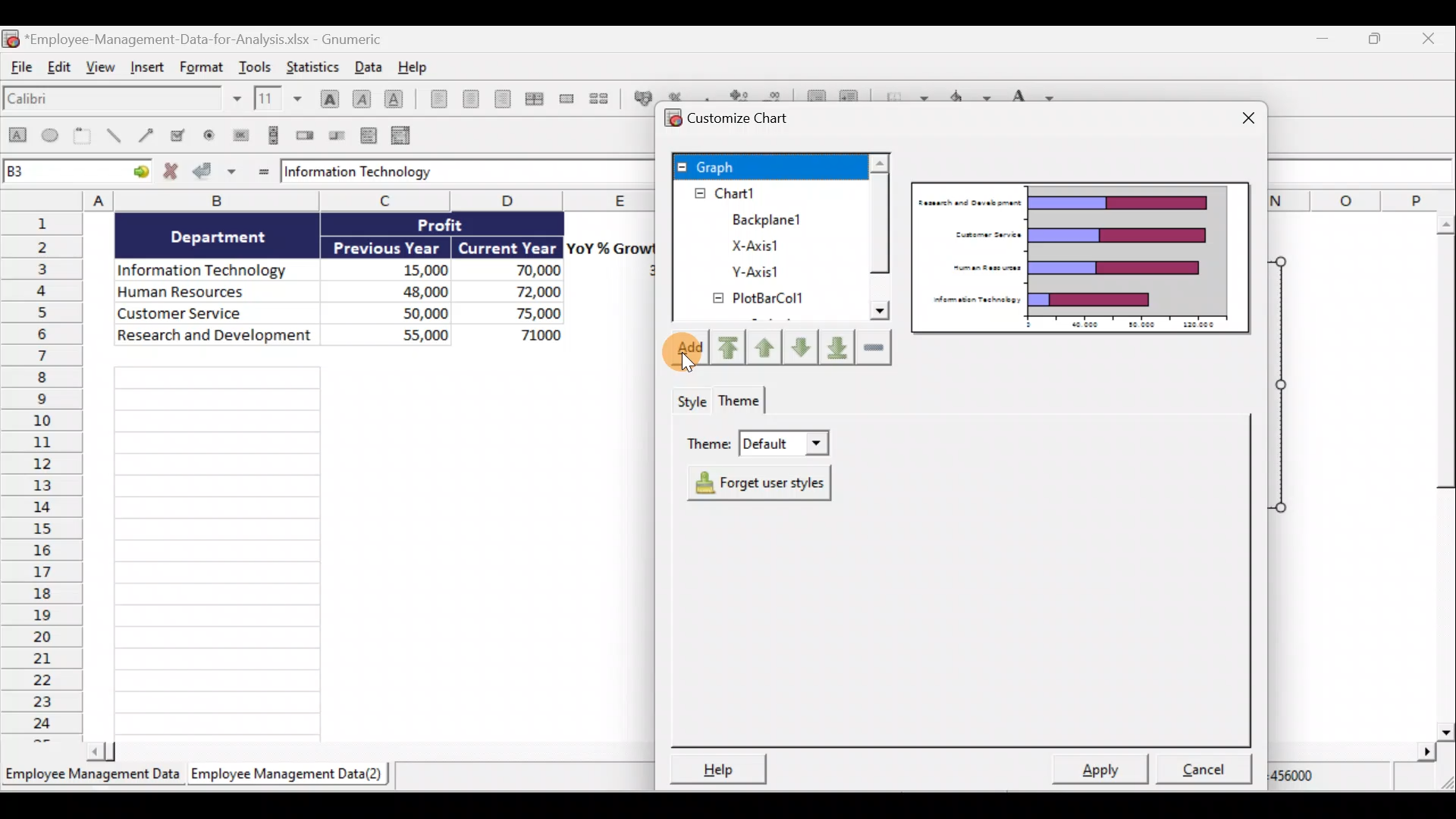  Describe the element at coordinates (256, 64) in the screenshot. I see `Tools` at that location.